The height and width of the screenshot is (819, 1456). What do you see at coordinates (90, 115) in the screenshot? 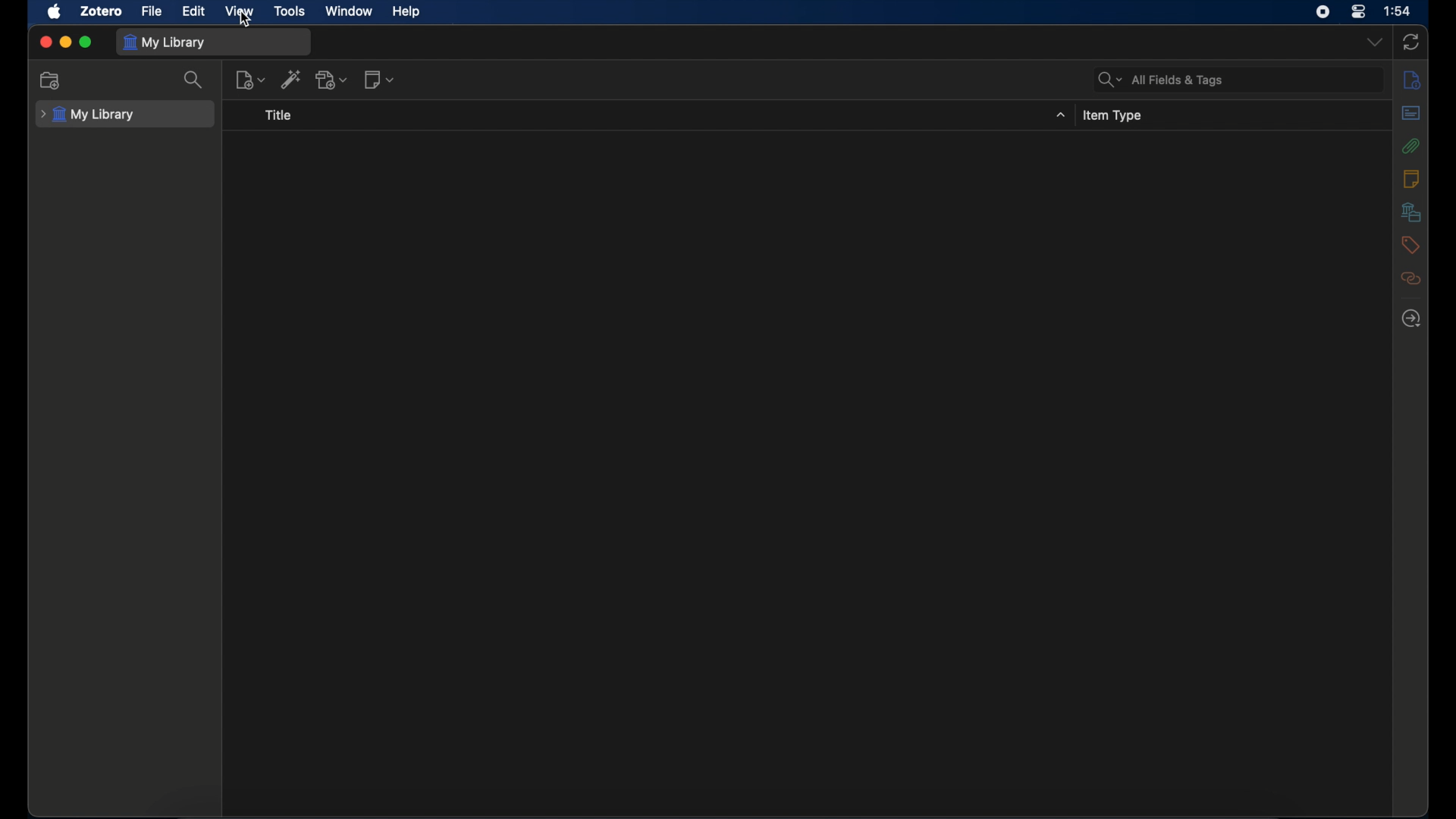
I see `my library` at bounding box center [90, 115].